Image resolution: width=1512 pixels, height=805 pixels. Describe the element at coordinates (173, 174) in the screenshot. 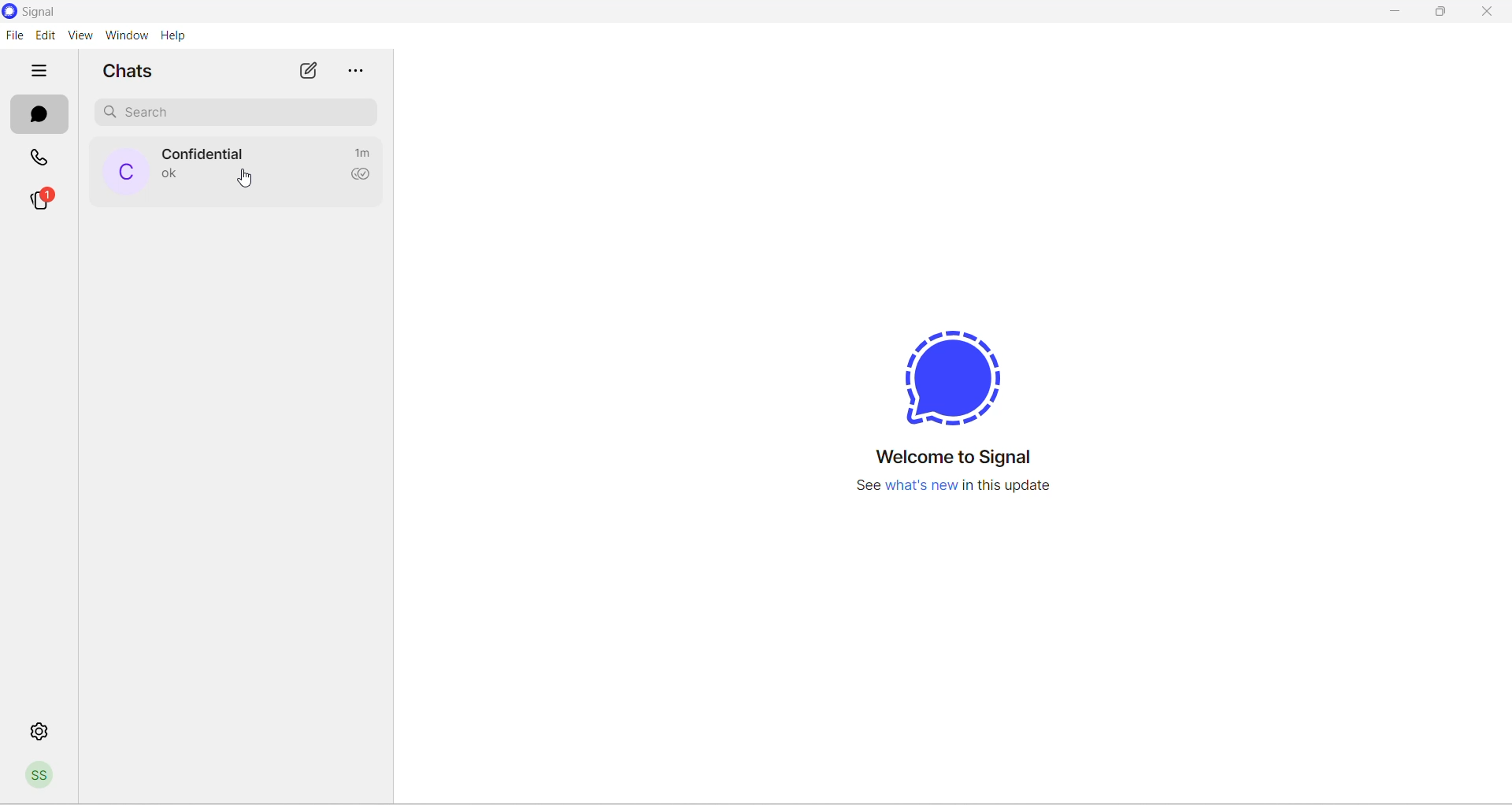

I see `last message` at that location.